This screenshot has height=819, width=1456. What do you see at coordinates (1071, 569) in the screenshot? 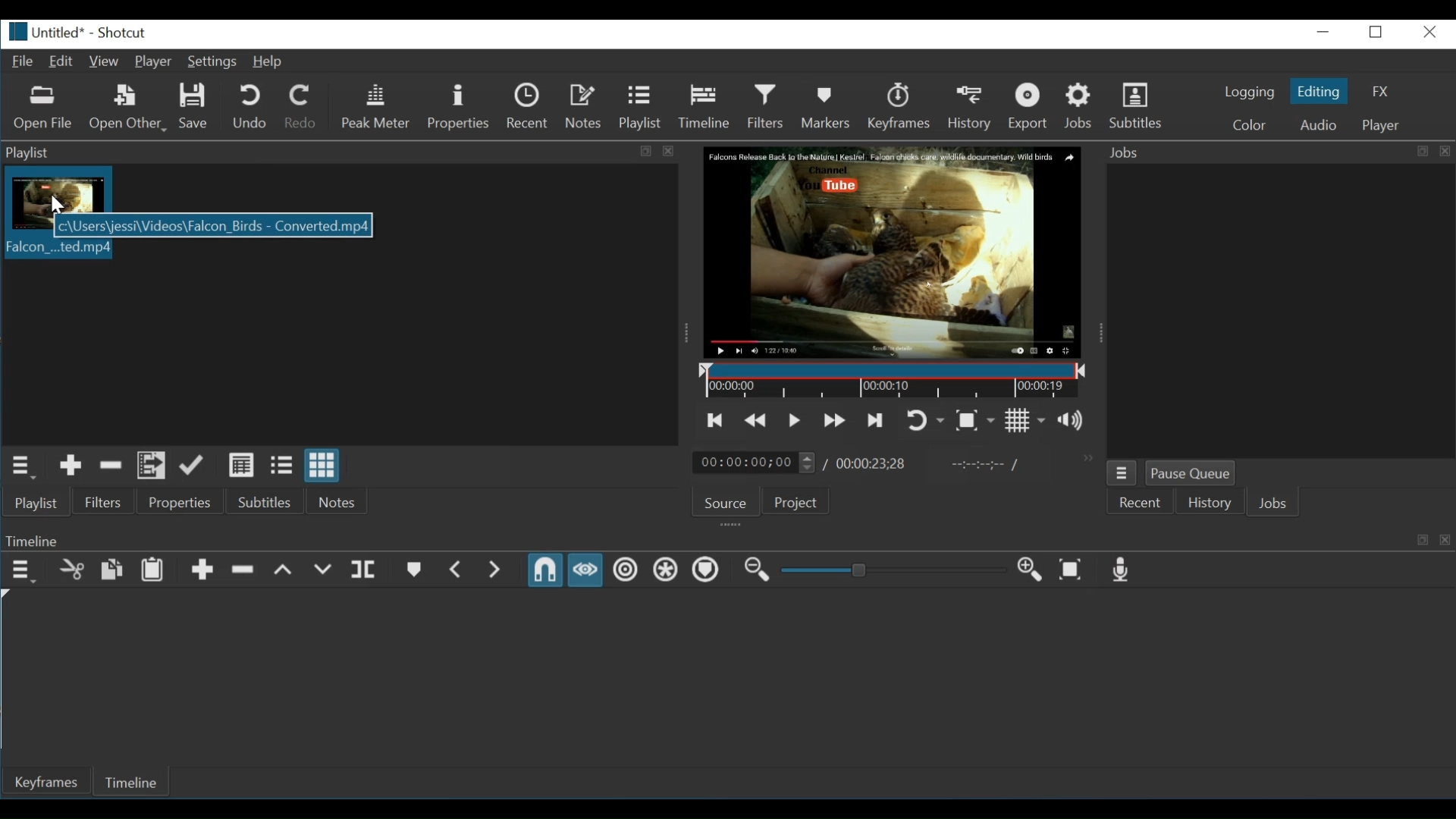
I see `Zoom Timeline to fit` at bounding box center [1071, 569].